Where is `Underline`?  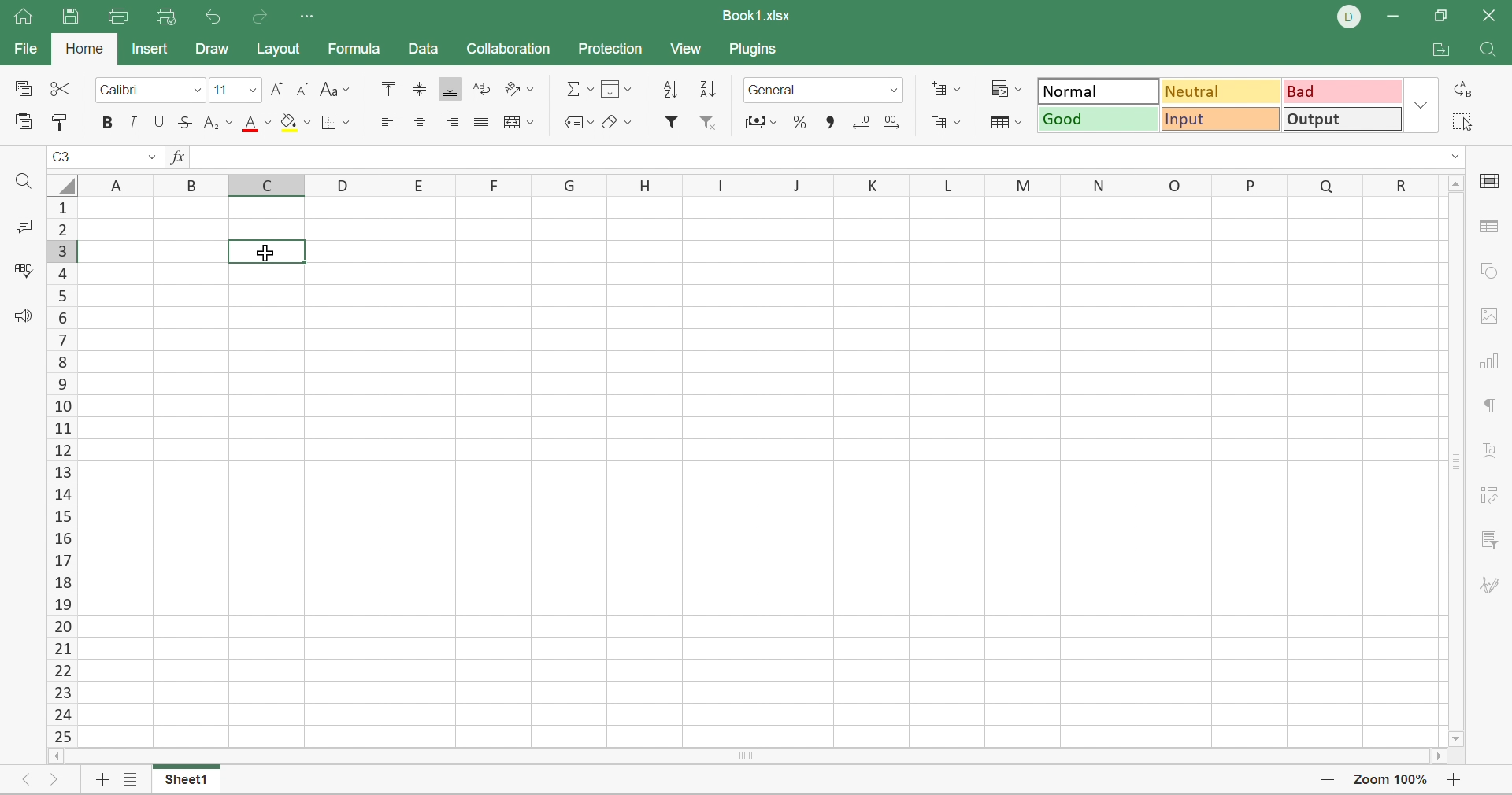
Underline is located at coordinates (161, 123).